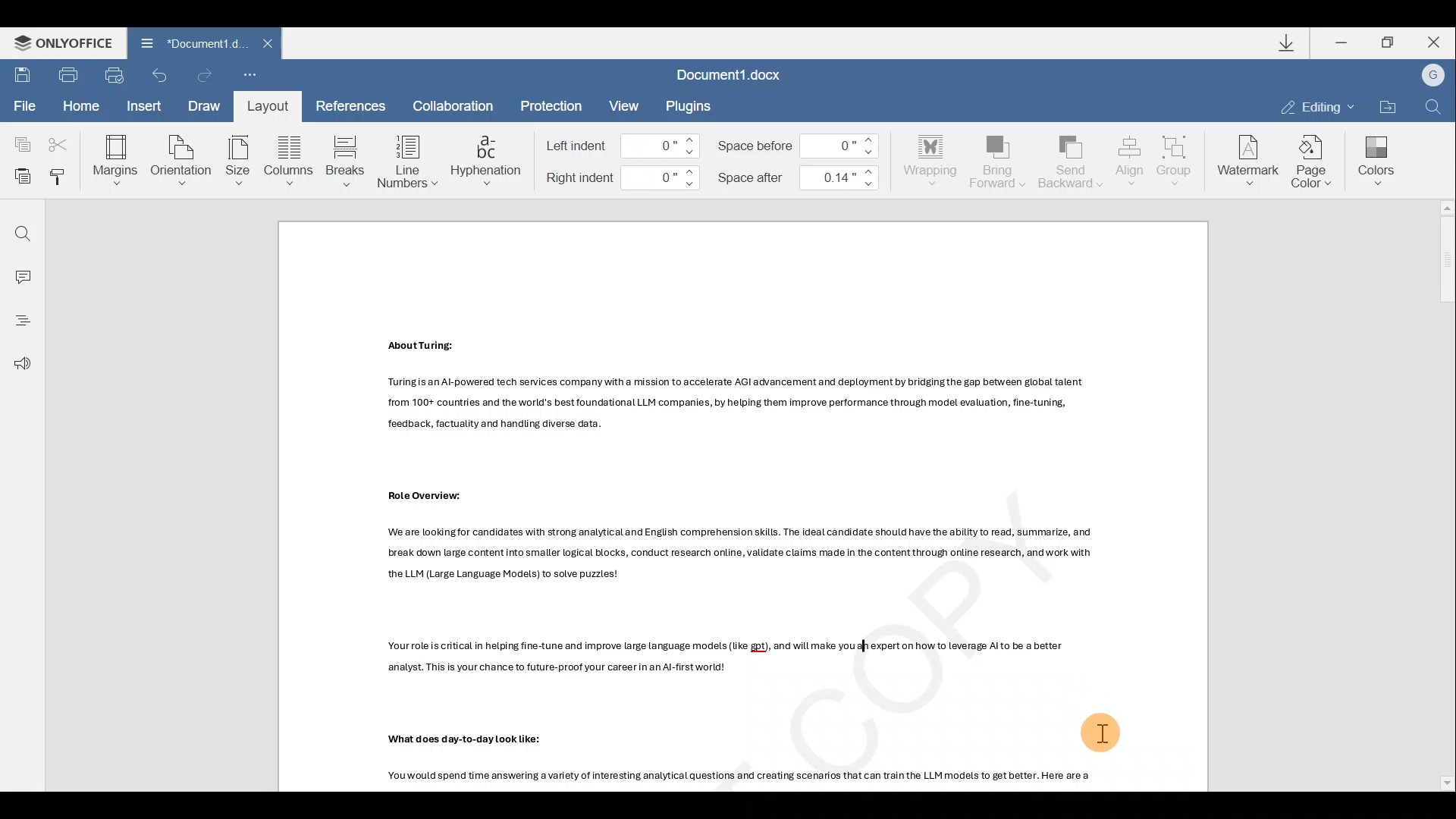 This screenshot has height=819, width=1456. Describe the element at coordinates (626, 180) in the screenshot. I see `Right indent` at that location.